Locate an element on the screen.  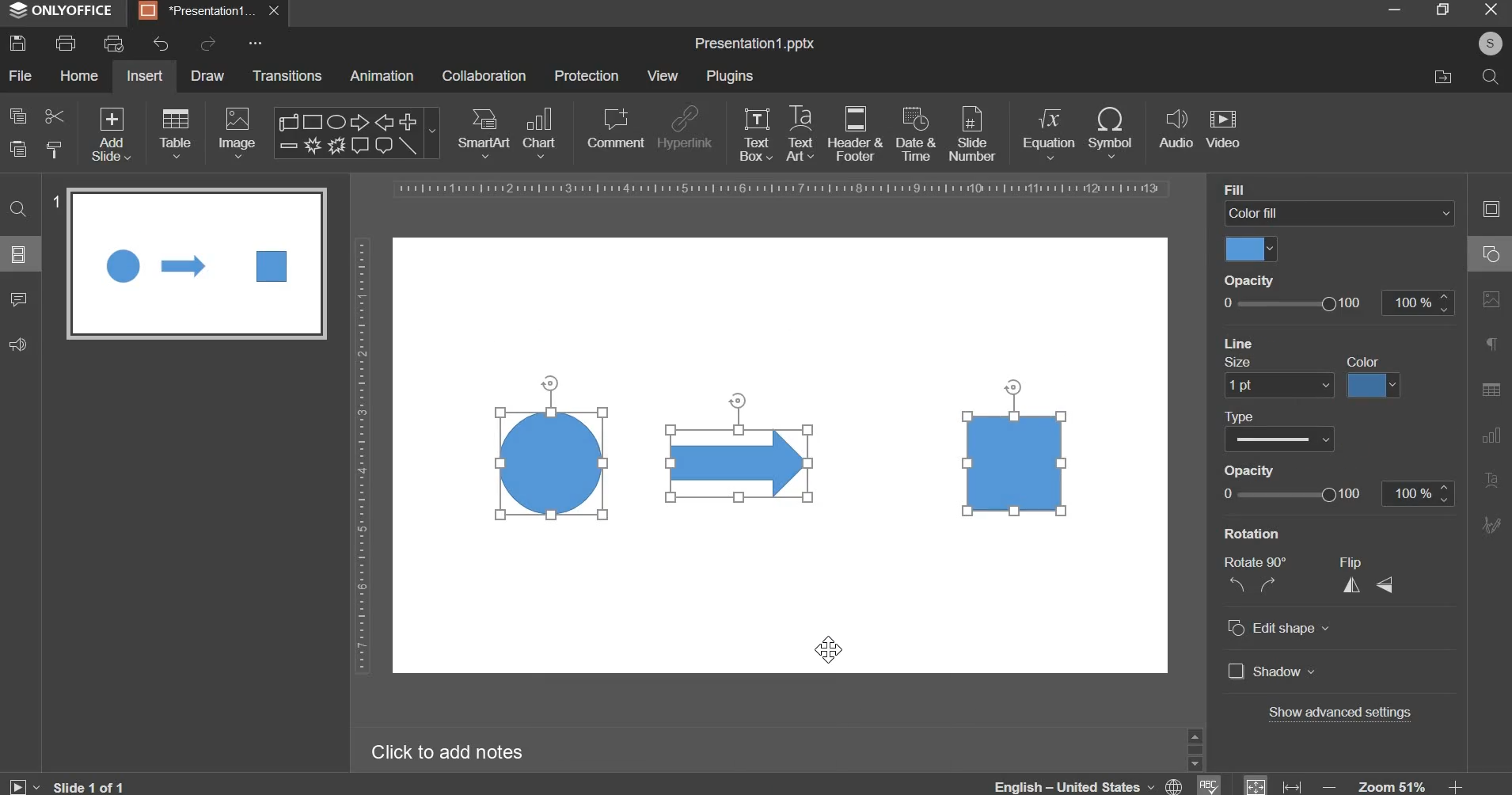
find is located at coordinates (20, 207).